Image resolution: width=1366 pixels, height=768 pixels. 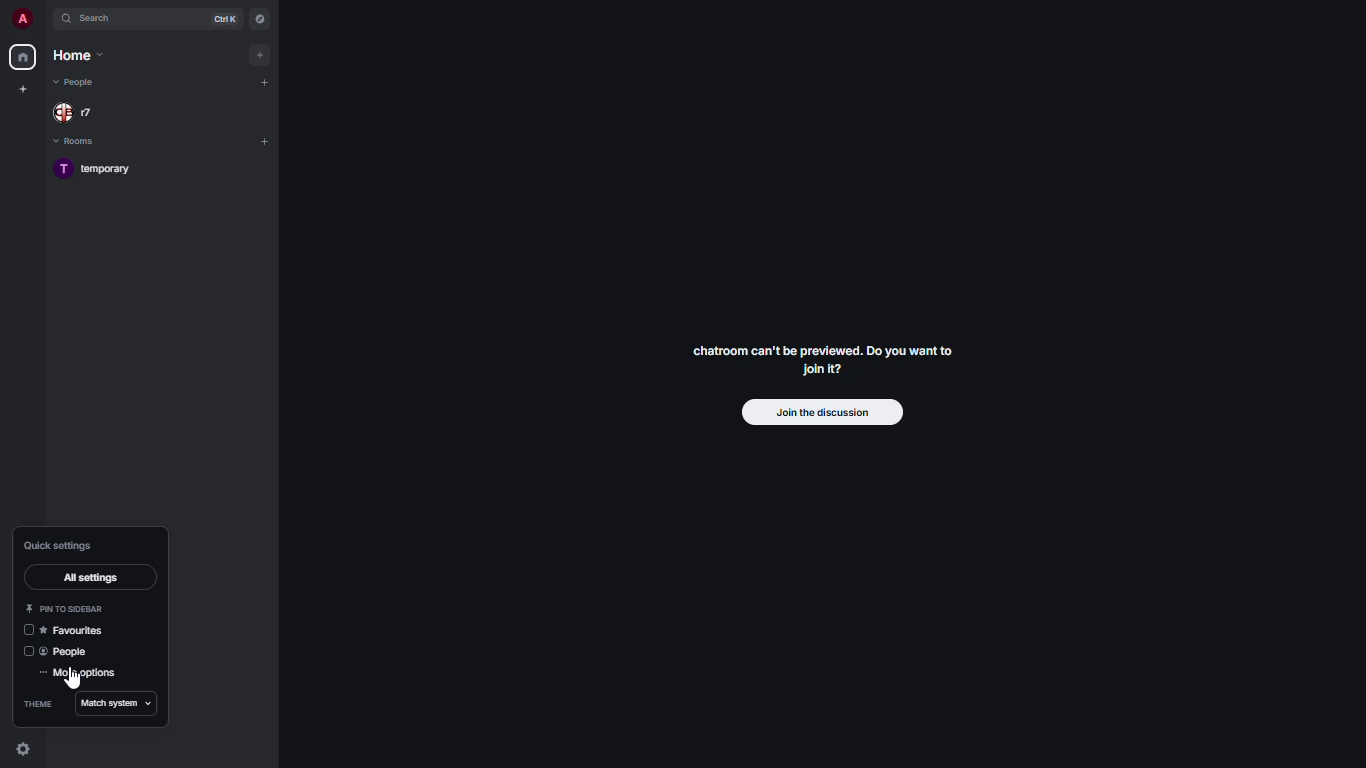 What do you see at coordinates (29, 629) in the screenshot?
I see `disabled` at bounding box center [29, 629].